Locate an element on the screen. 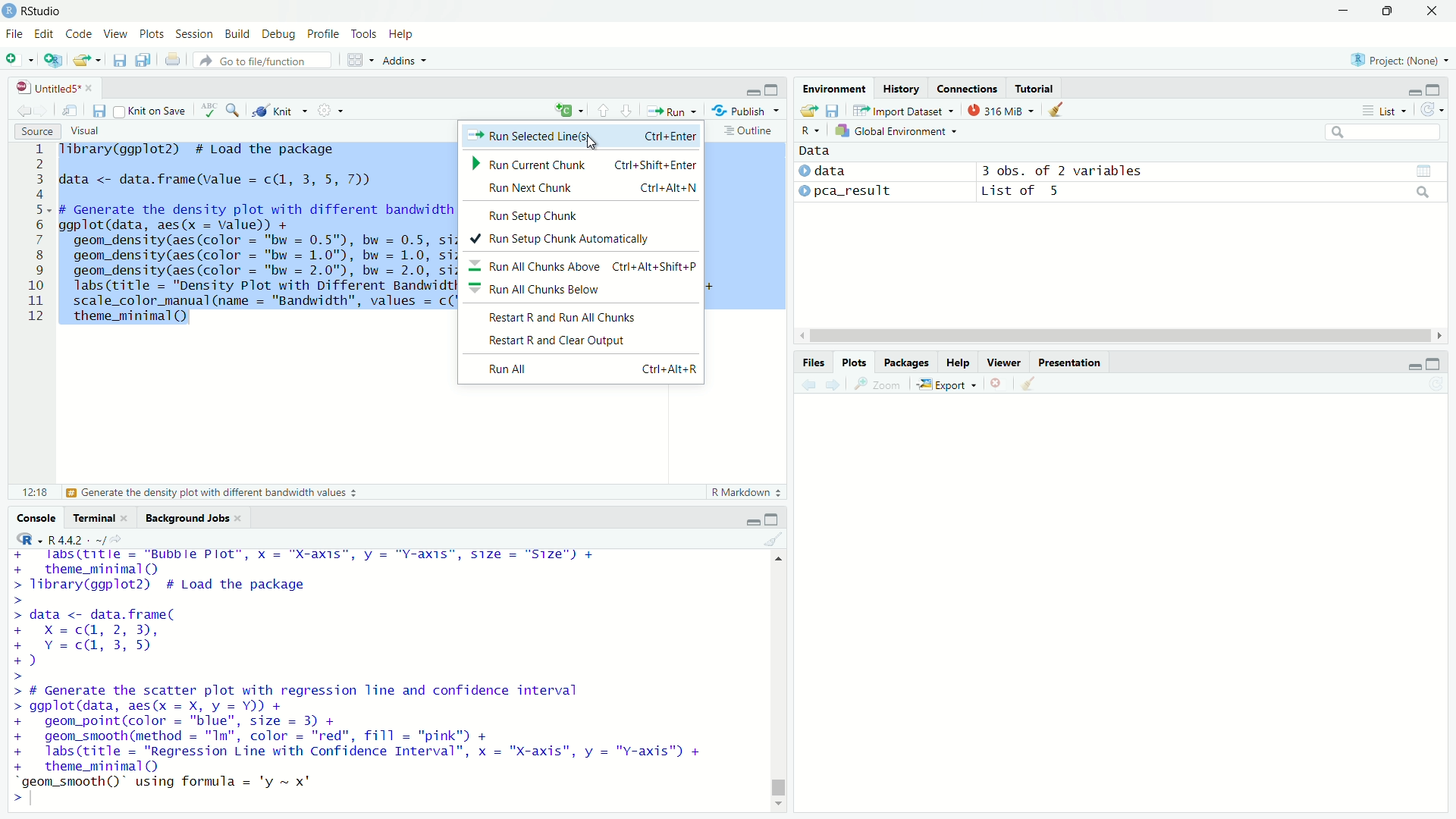  search is located at coordinates (1424, 192).